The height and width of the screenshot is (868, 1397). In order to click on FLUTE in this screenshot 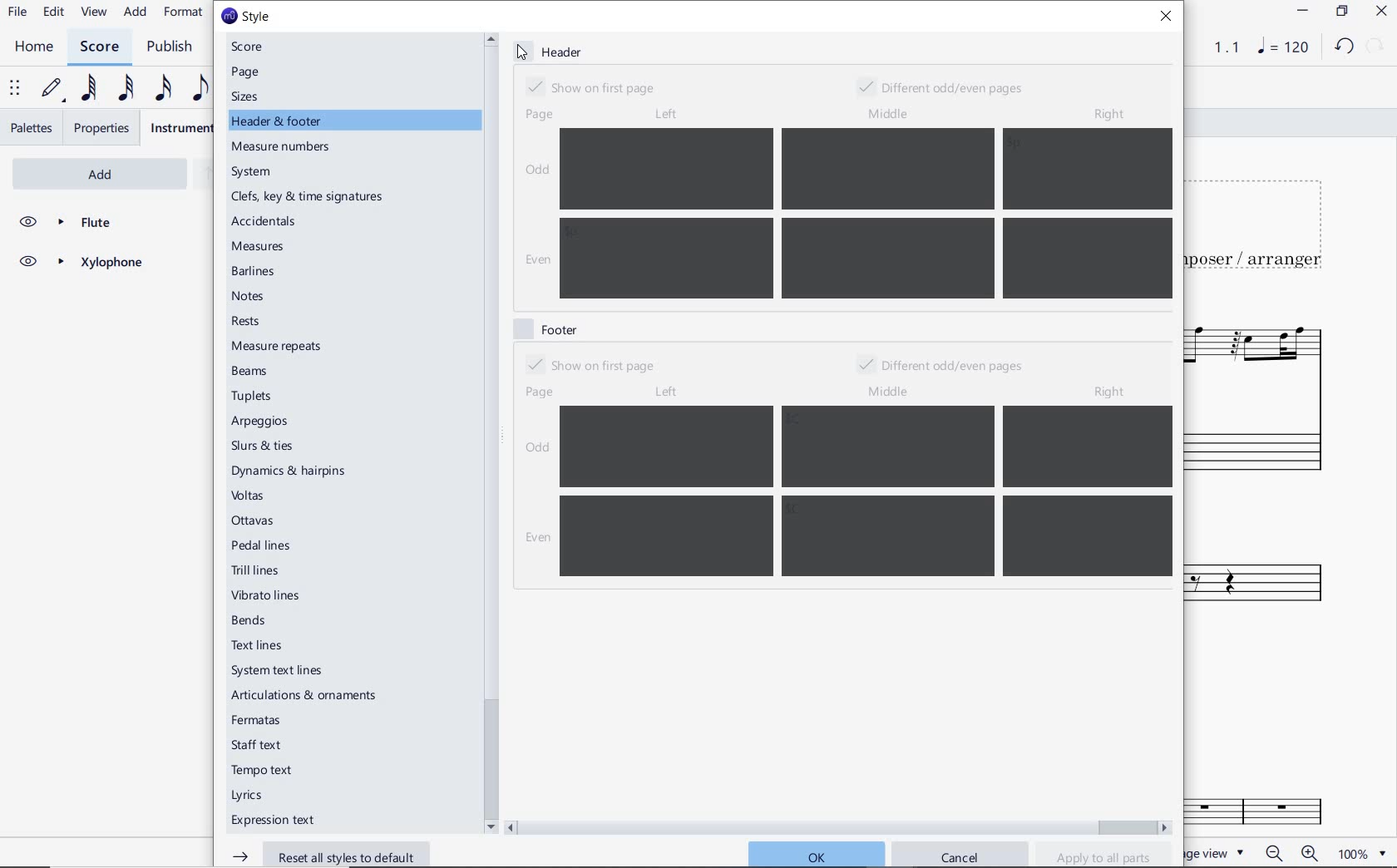, I will do `click(80, 223)`.